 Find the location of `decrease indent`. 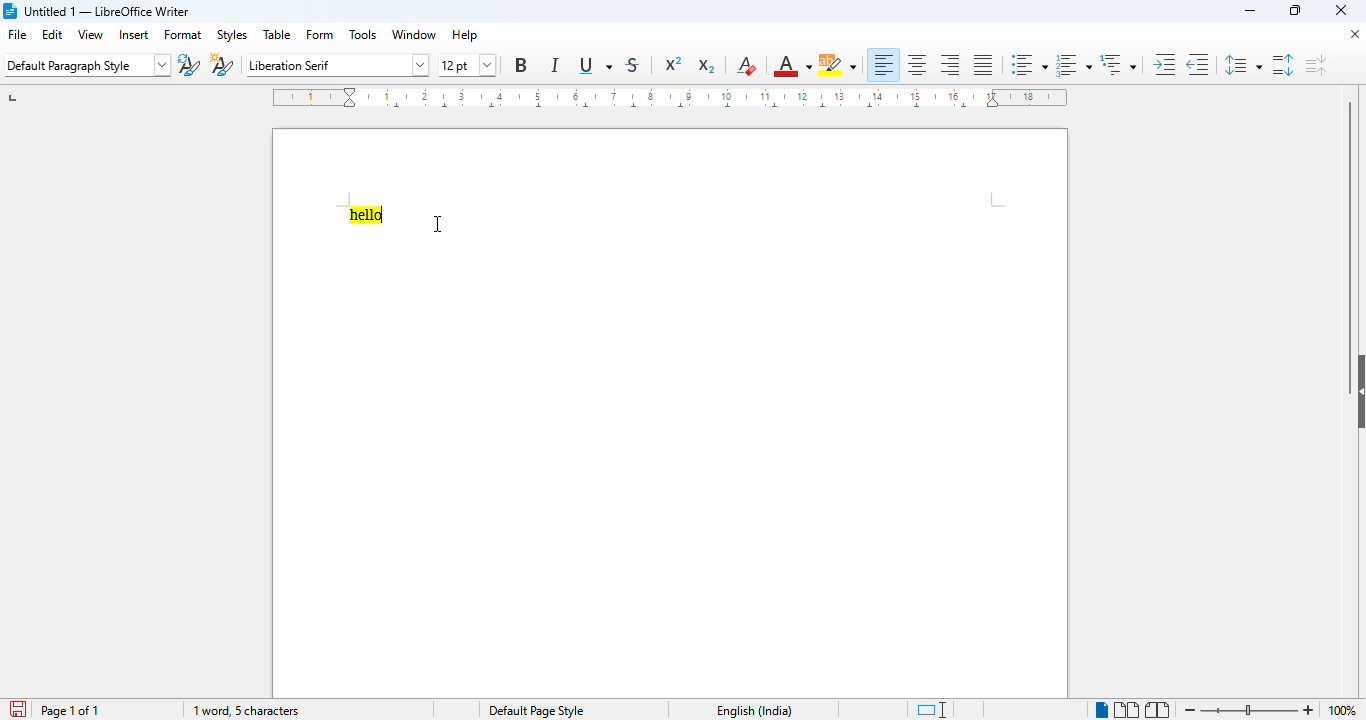

decrease indent is located at coordinates (1197, 64).